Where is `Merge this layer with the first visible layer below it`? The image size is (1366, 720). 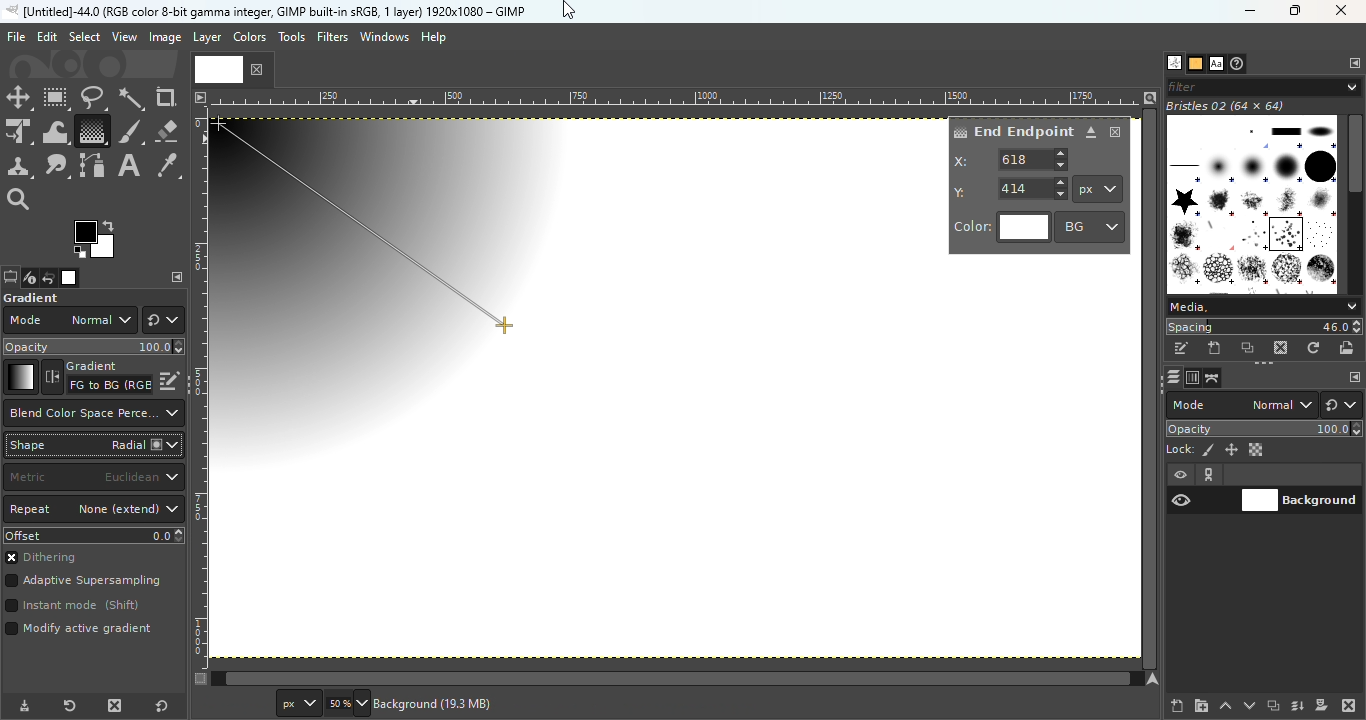
Merge this layer with the first visible layer below it is located at coordinates (1298, 706).